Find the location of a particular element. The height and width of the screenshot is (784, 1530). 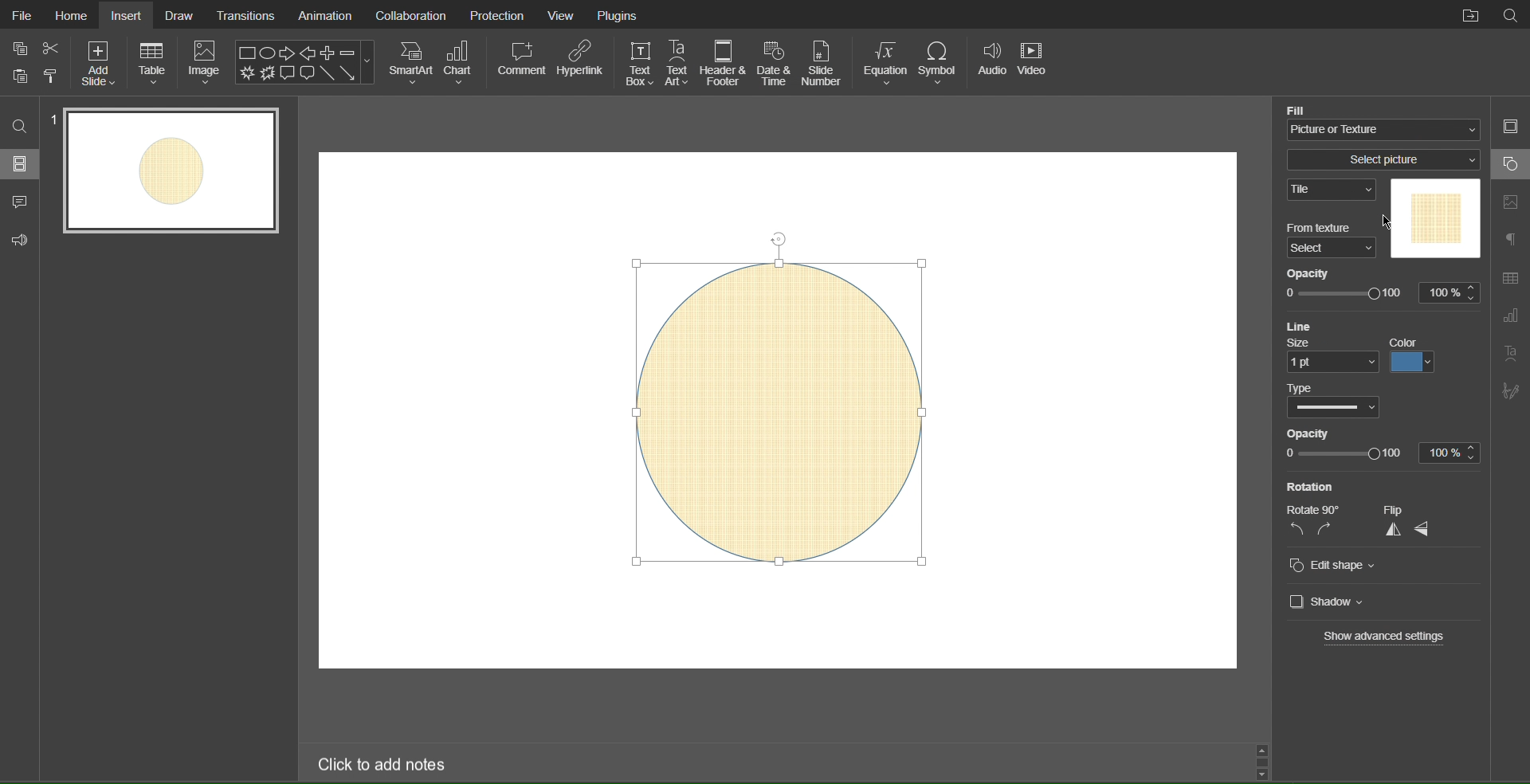

Date and Time is located at coordinates (777, 62).